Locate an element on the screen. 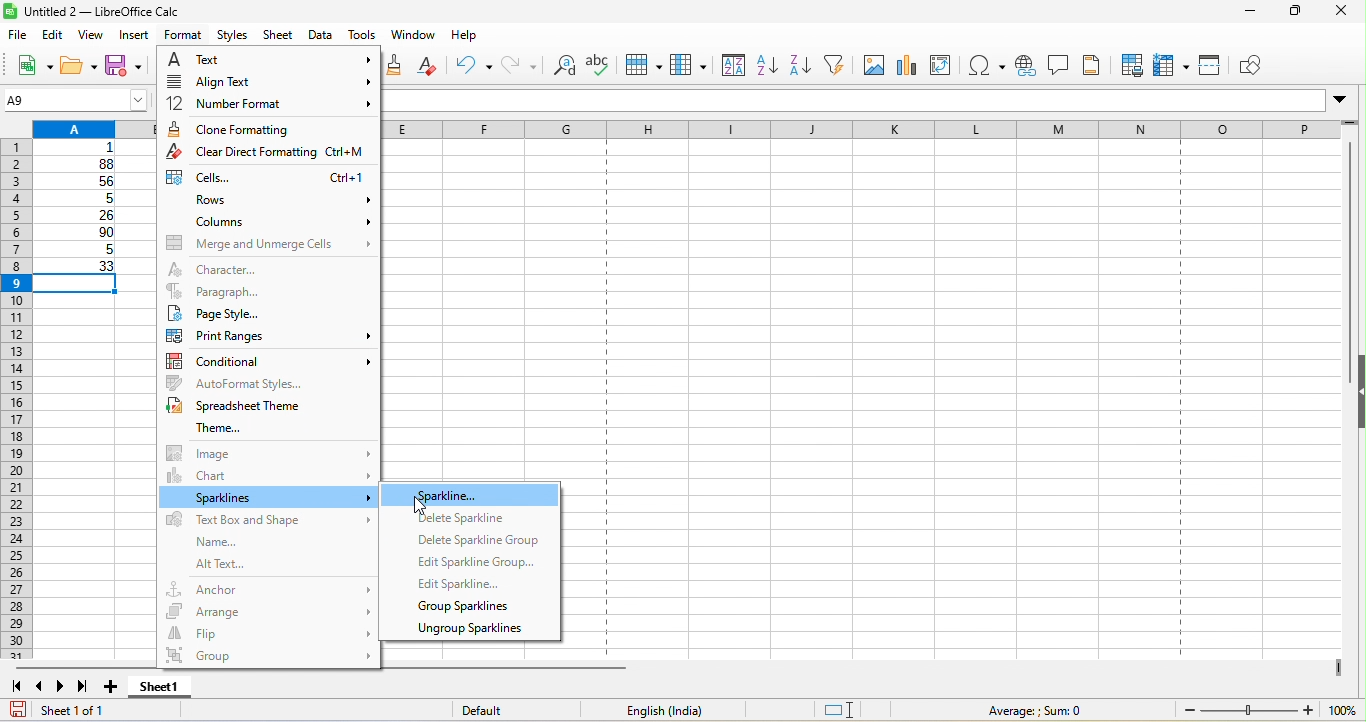  auto filter is located at coordinates (840, 65).